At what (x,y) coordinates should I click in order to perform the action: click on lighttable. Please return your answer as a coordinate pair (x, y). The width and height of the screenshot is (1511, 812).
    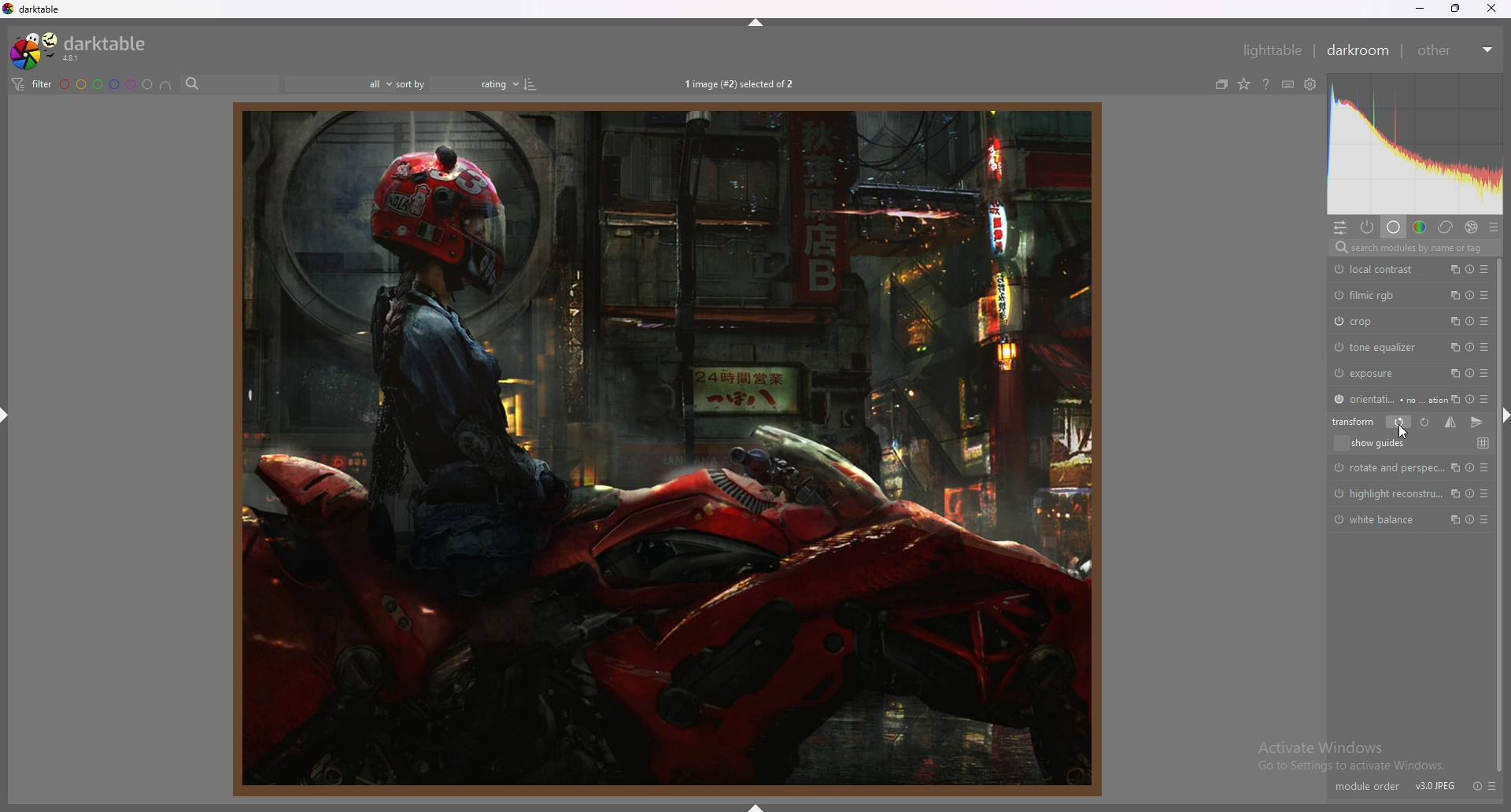
    Looking at the image, I should click on (1268, 49).